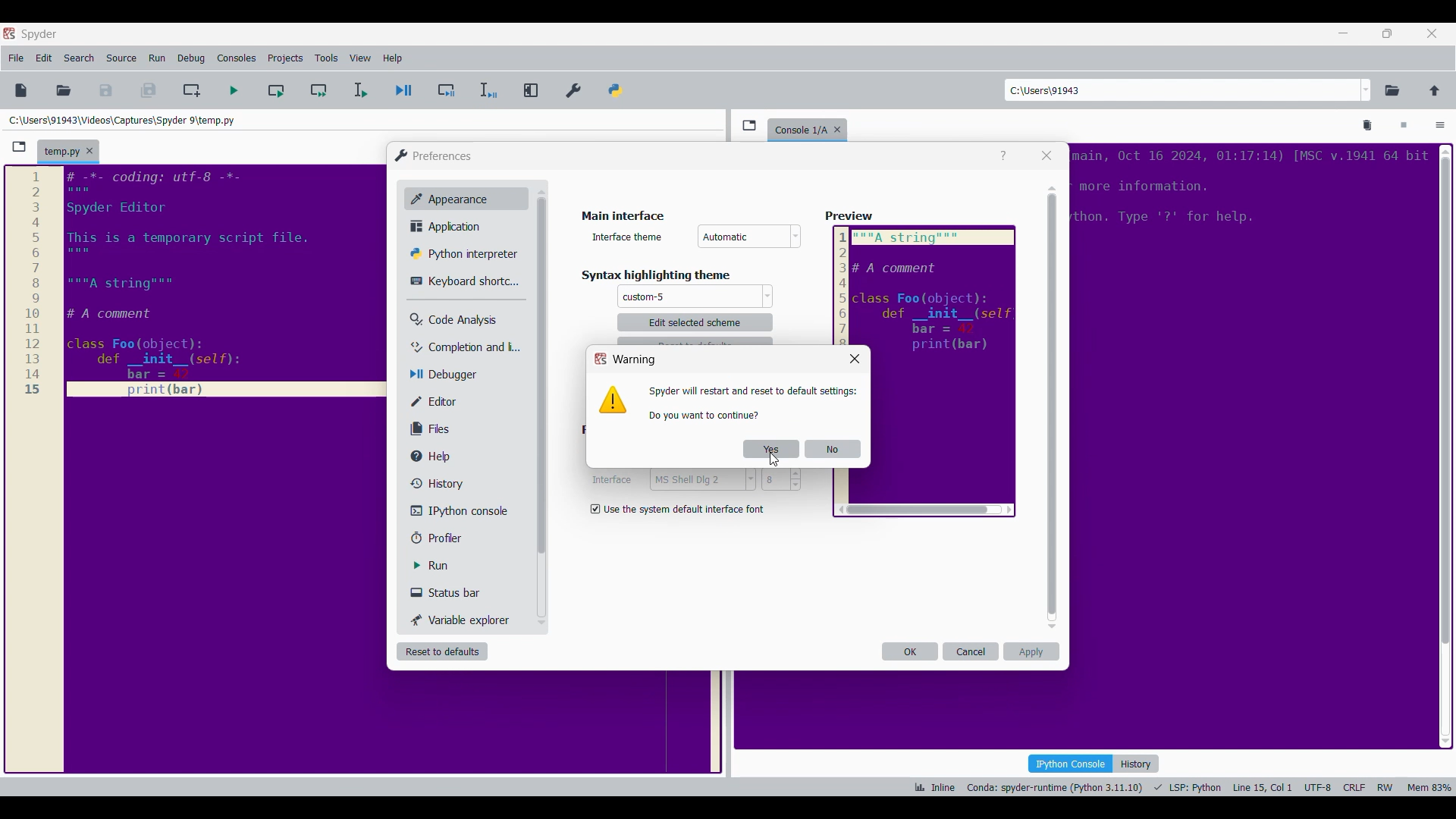  I want to click on Apply, so click(1032, 651).